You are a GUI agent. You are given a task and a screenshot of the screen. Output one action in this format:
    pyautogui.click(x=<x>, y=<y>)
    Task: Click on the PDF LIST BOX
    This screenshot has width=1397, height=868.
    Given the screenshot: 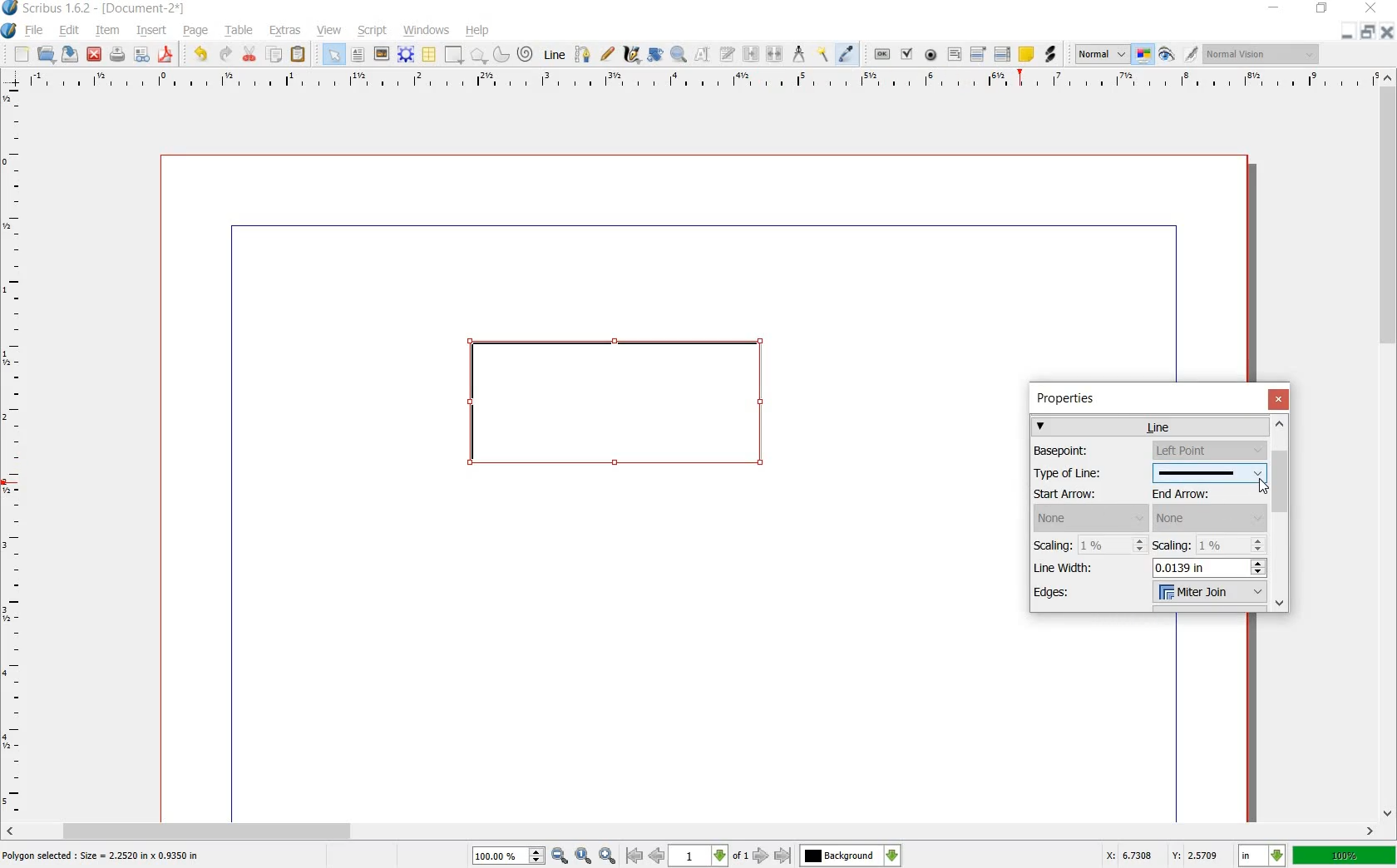 What is the action you would take?
    pyautogui.click(x=1001, y=54)
    